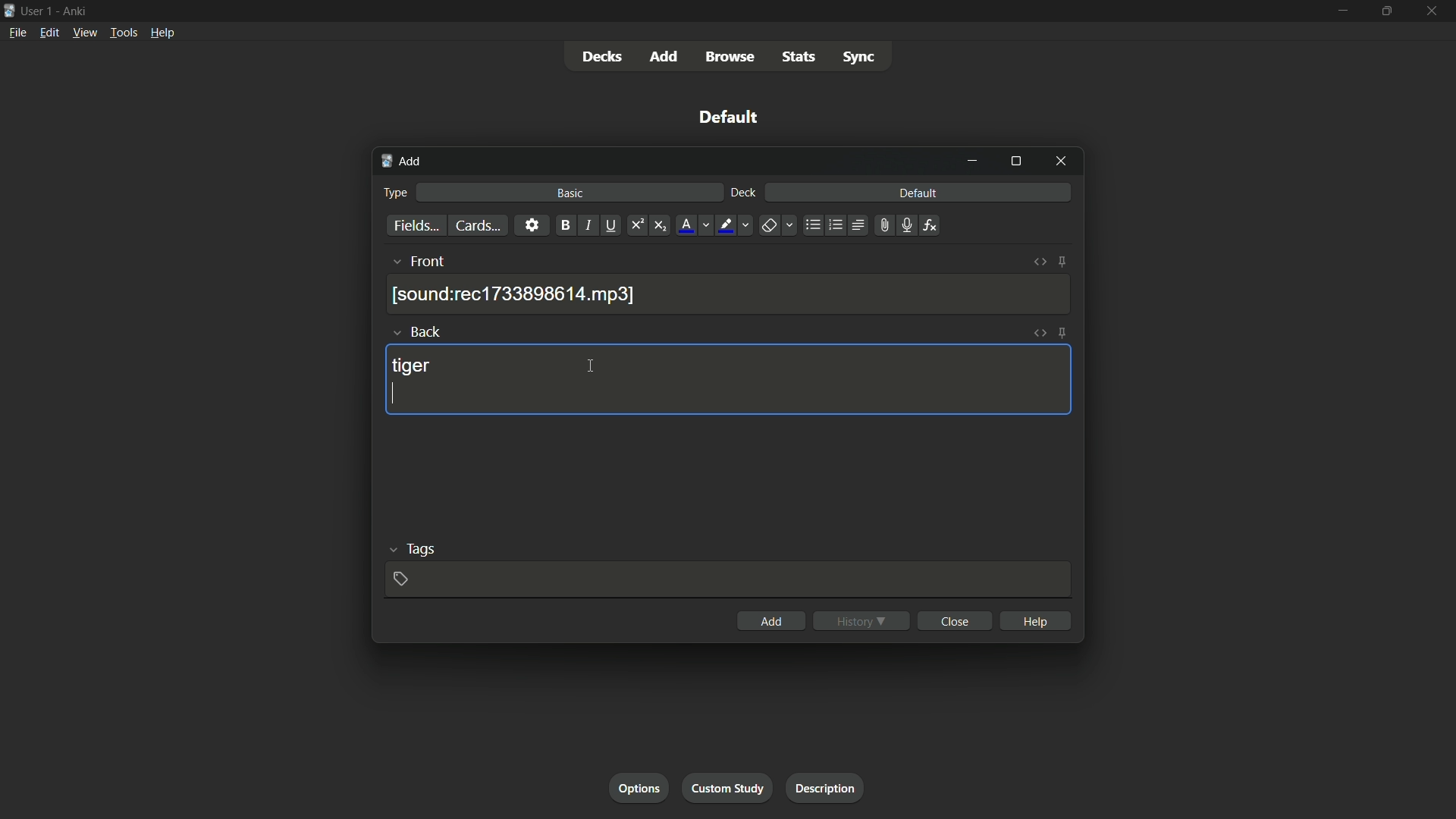  Describe the element at coordinates (49, 33) in the screenshot. I see `edit menu` at that location.